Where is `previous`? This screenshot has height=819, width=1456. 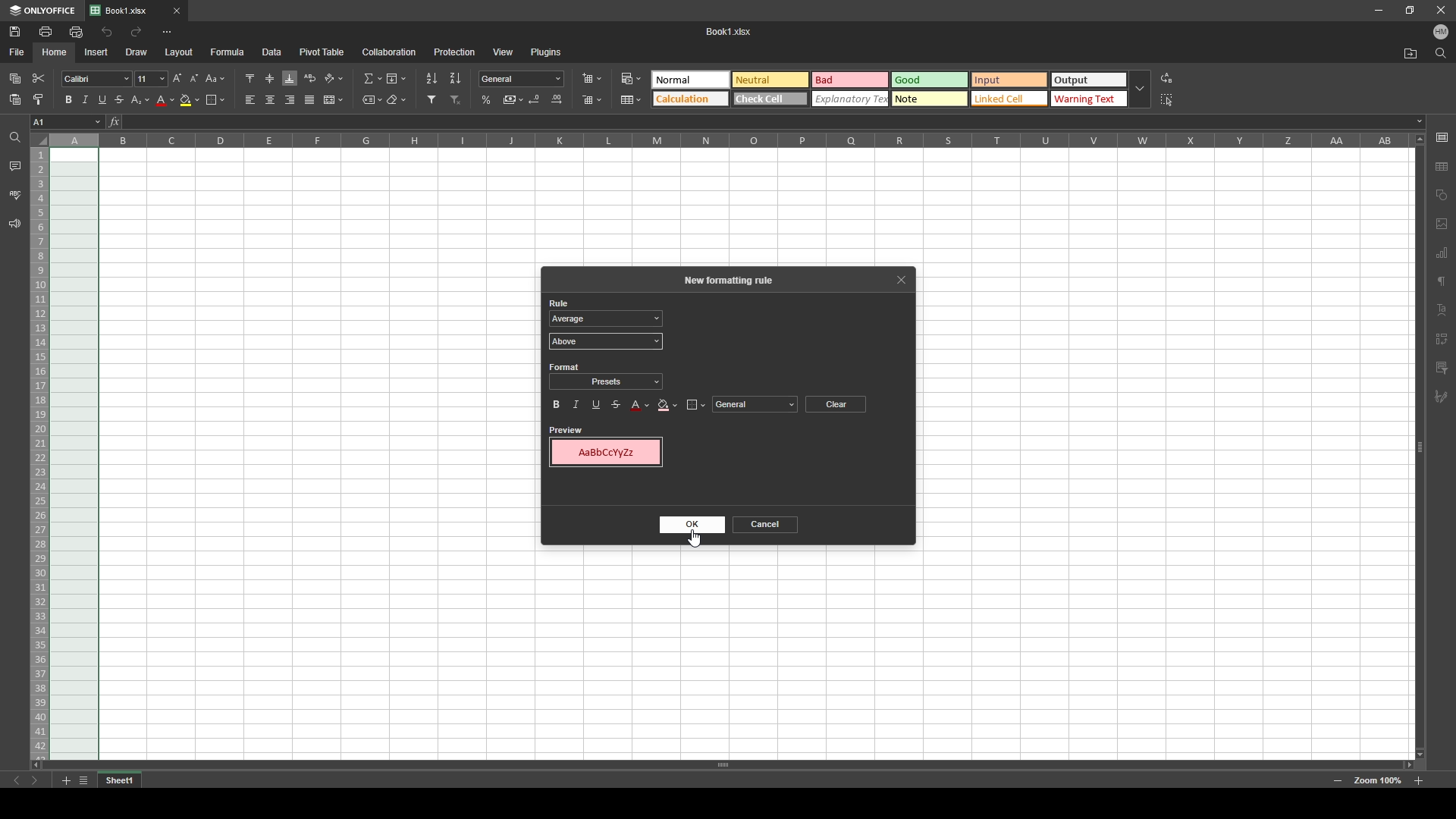
previous is located at coordinates (17, 781).